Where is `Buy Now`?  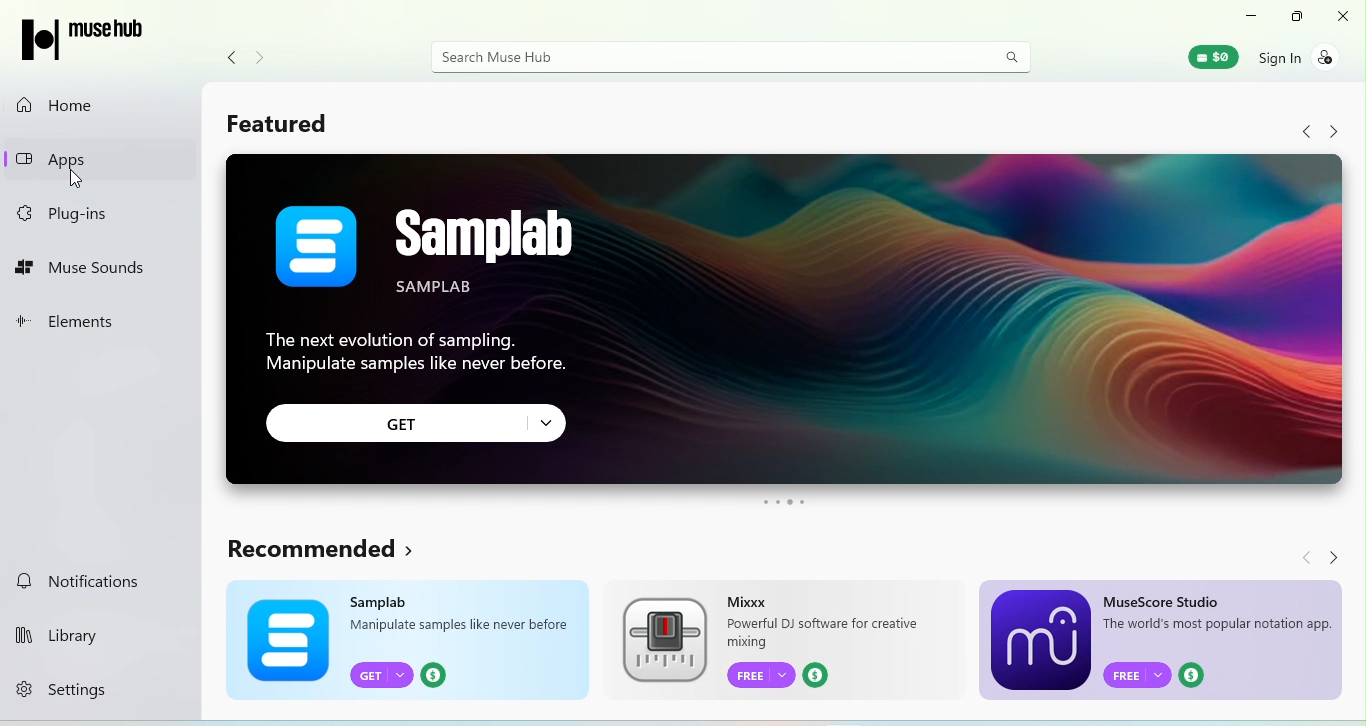 Buy Now is located at coordinates (821, 676).